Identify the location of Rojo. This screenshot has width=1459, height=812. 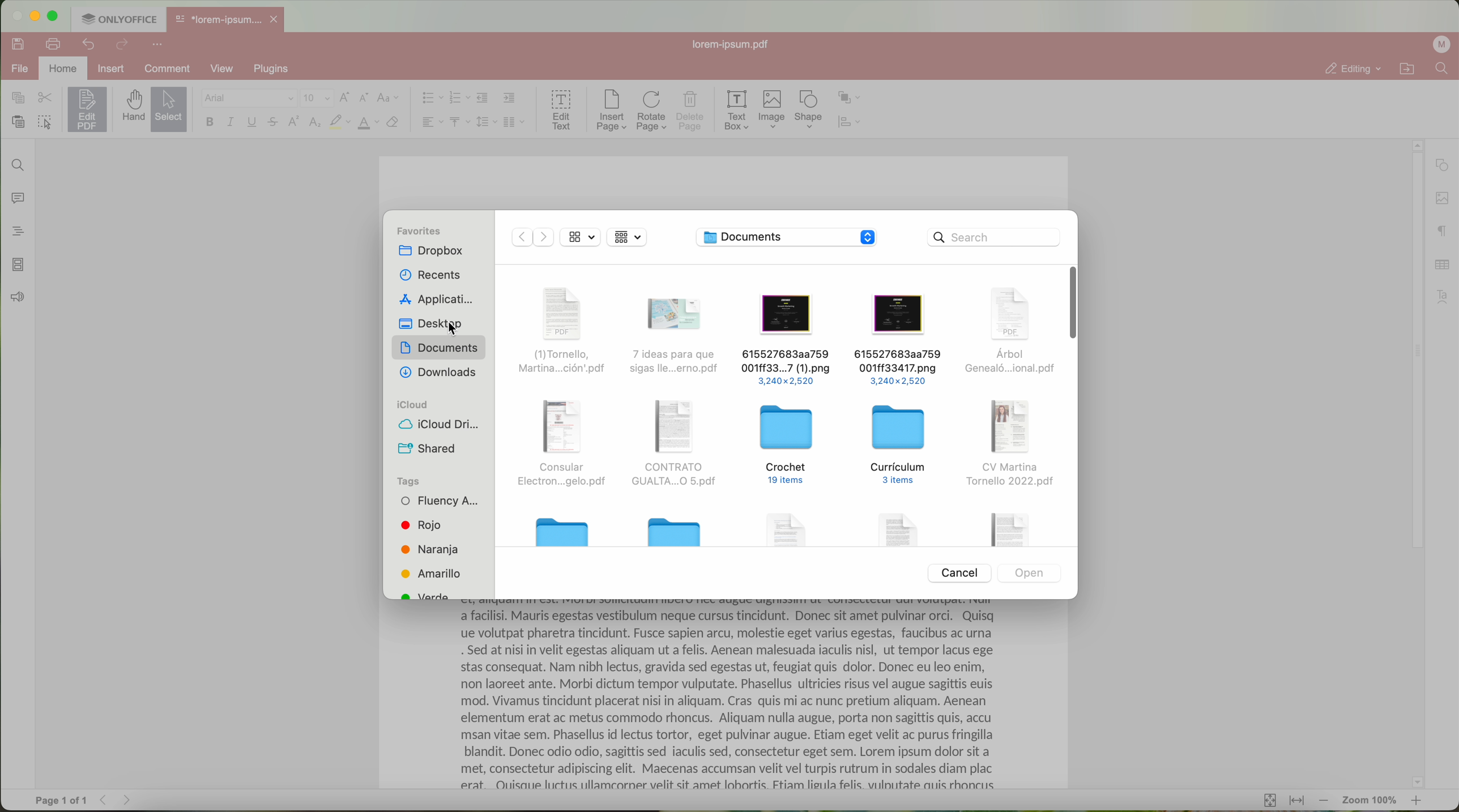
(421, 525).